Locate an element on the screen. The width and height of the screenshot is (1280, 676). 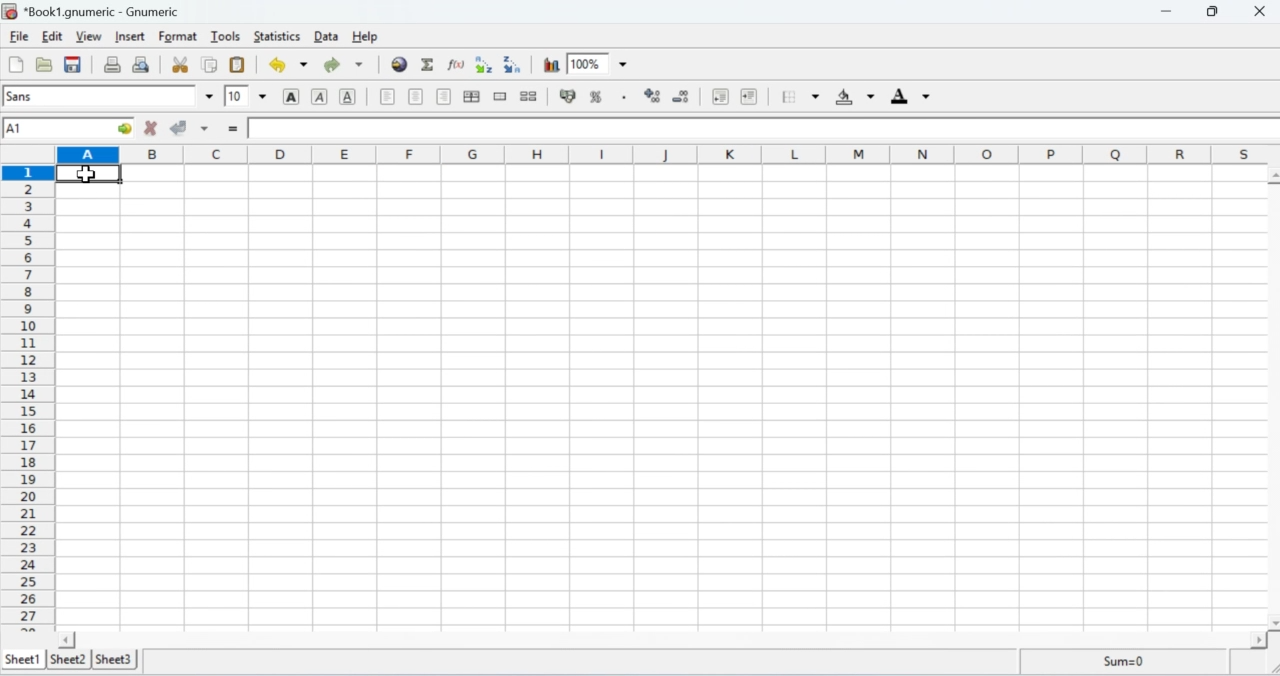
Paste clipboard is located at coordinates (238, 65).